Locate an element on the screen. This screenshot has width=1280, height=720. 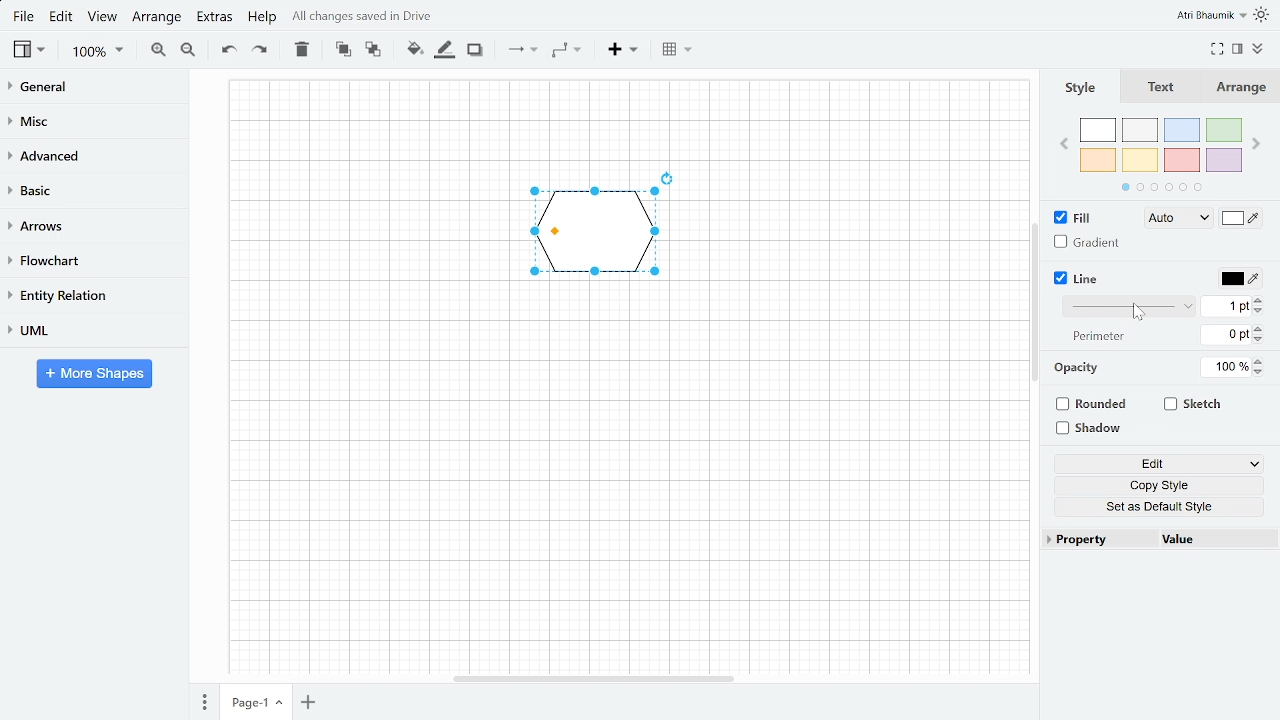
Arrange is located at coordinates (1238, 88).